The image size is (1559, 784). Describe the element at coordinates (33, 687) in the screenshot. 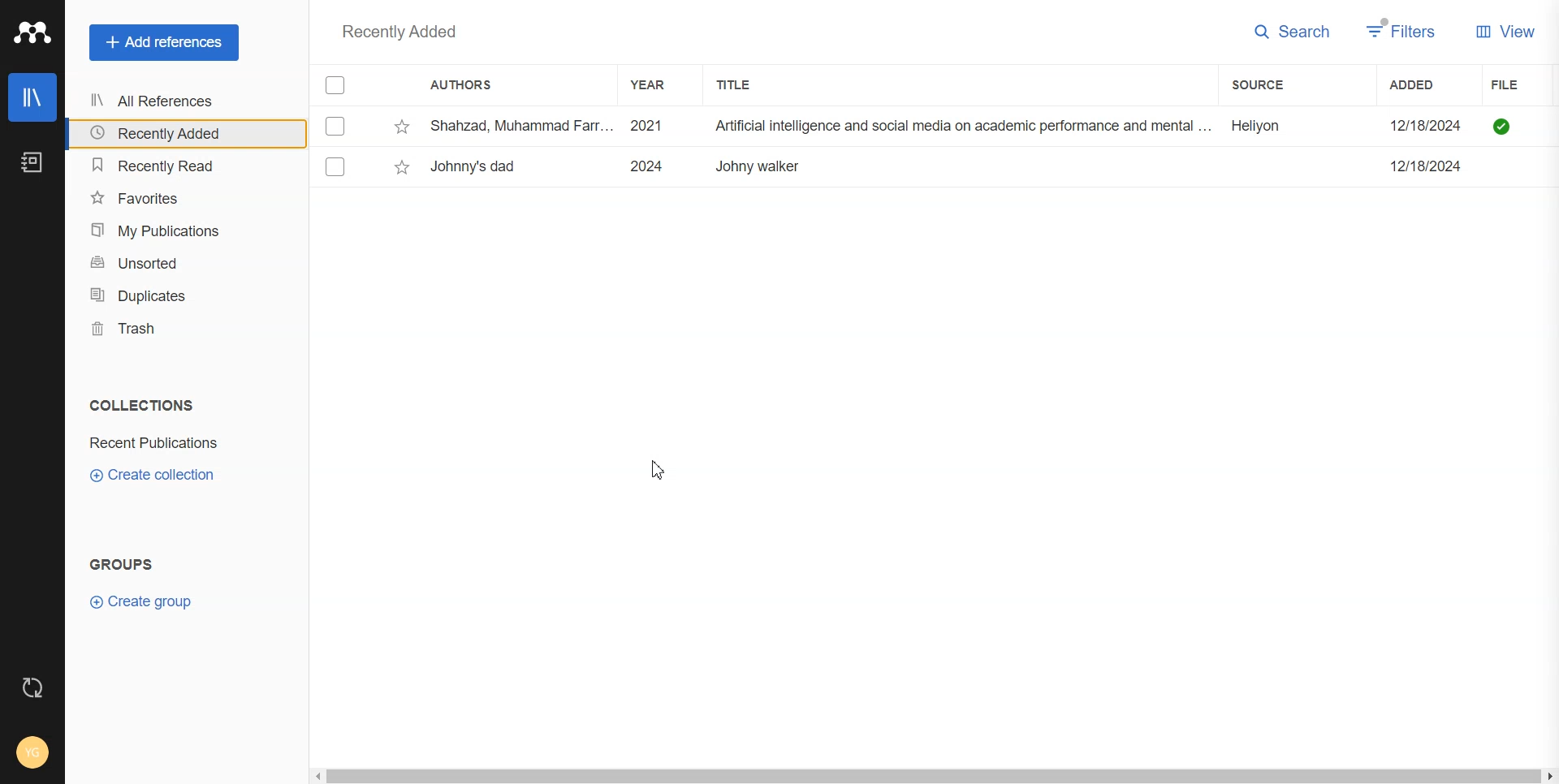

I see `Auto Sync` at that location.